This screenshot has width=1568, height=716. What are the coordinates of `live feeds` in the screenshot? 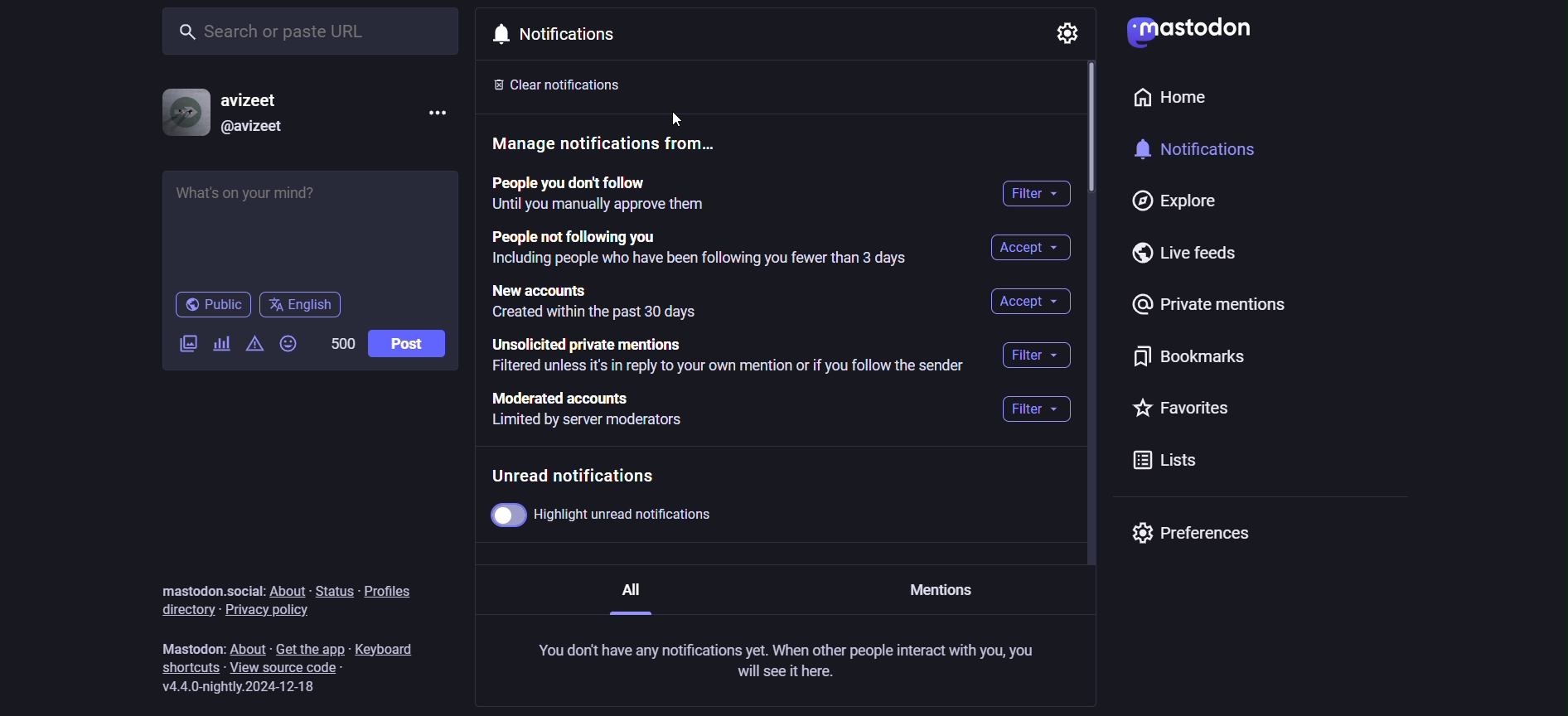 It's located at (1194, 258).